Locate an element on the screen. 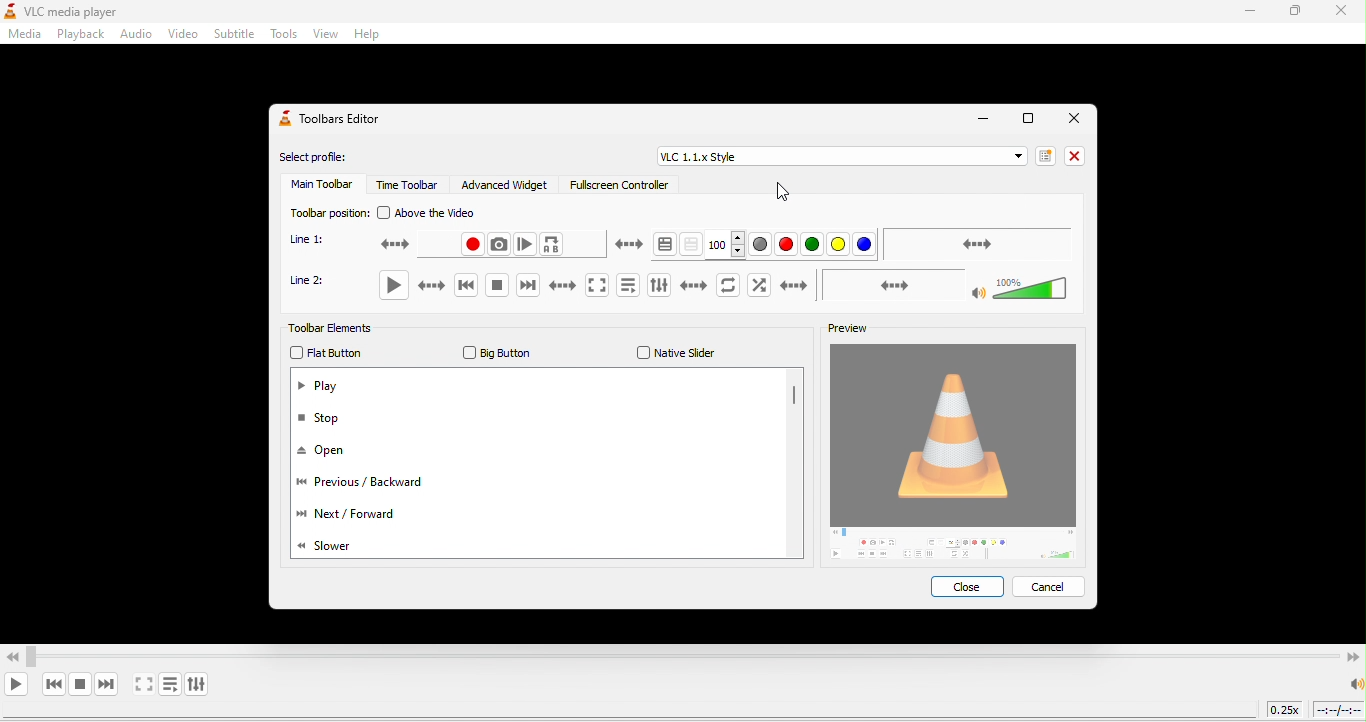 Image resolution: width=1366 pixels, height=722 pixels. vertical scroll bar is located at coordinates (794, 400).